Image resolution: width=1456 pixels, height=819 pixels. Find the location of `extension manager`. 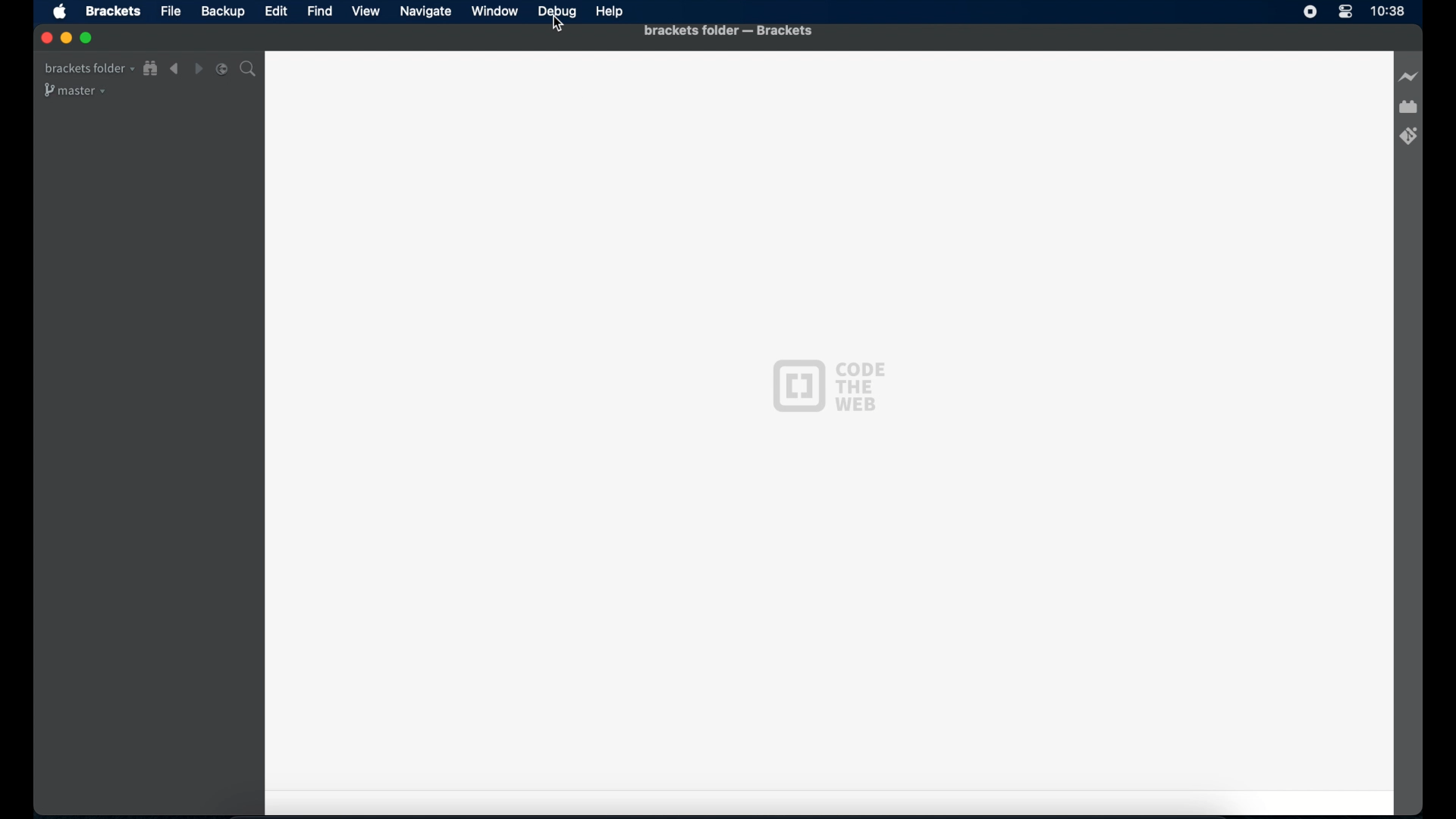

extension manager is located at coordinates (1408, 107).